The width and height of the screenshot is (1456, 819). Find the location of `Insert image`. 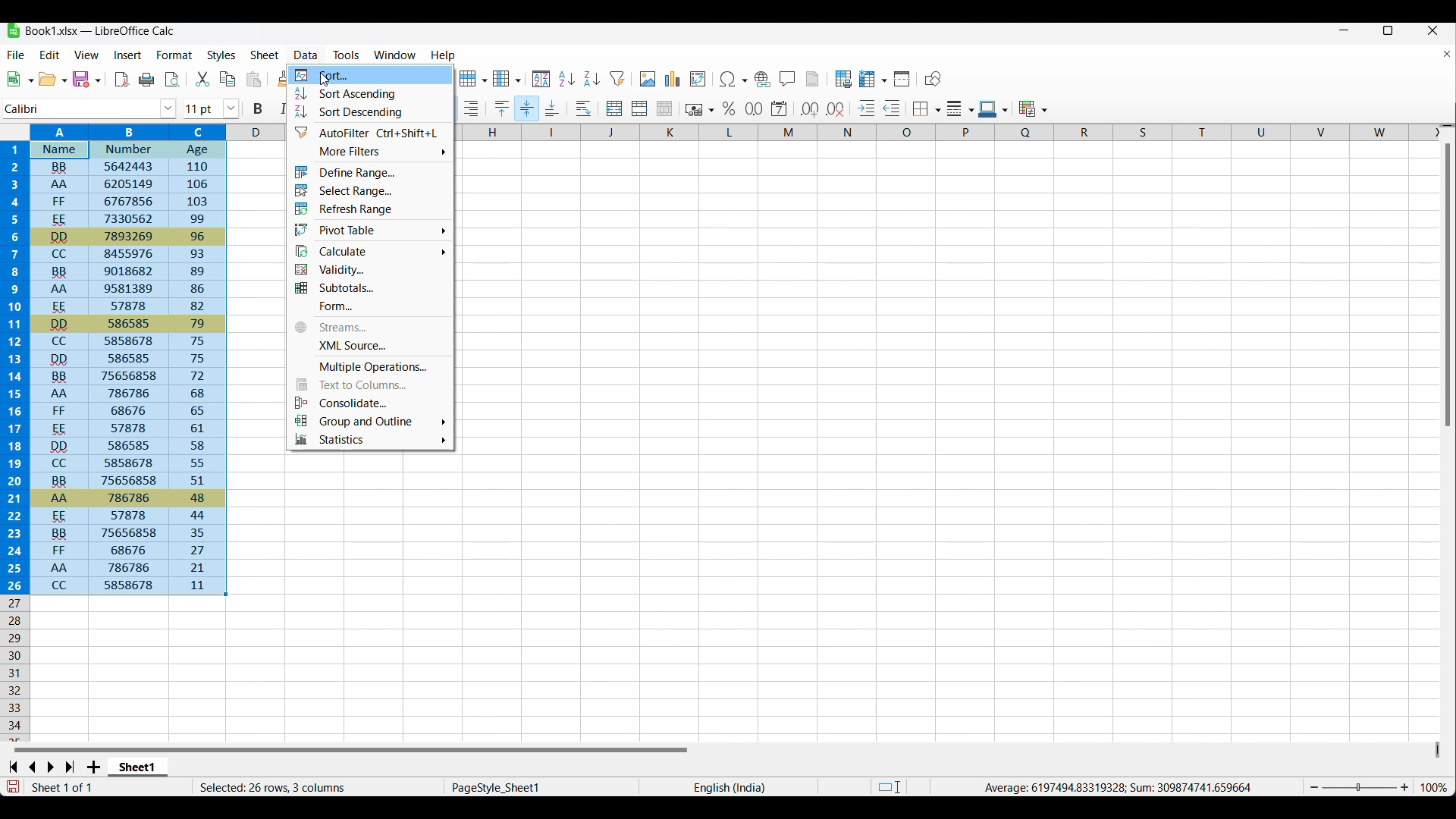

Insert image is located at coordinates (648, 78).